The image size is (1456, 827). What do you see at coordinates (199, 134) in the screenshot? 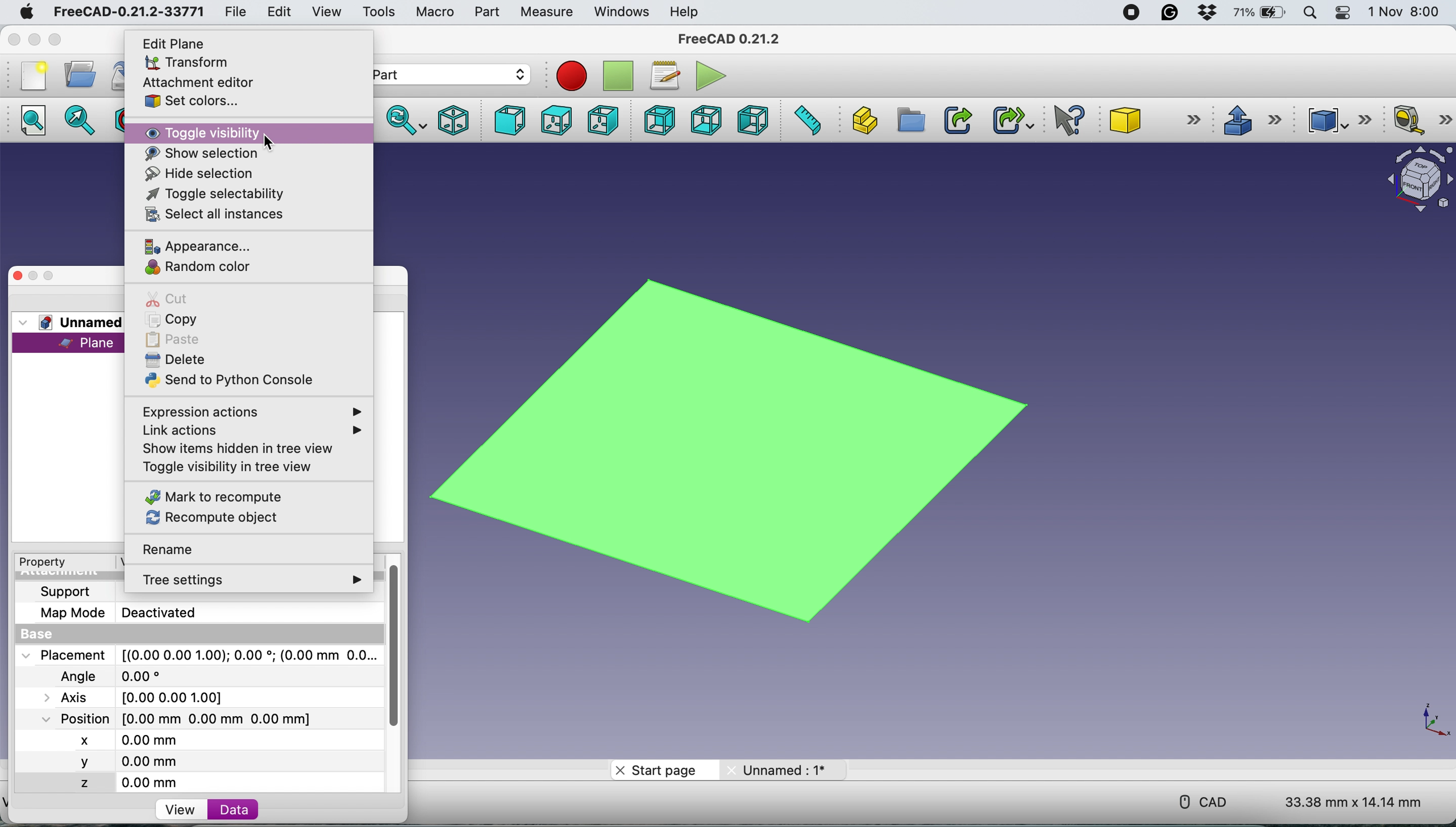
I see `toggle visibility` at bounding box center [199, 134].